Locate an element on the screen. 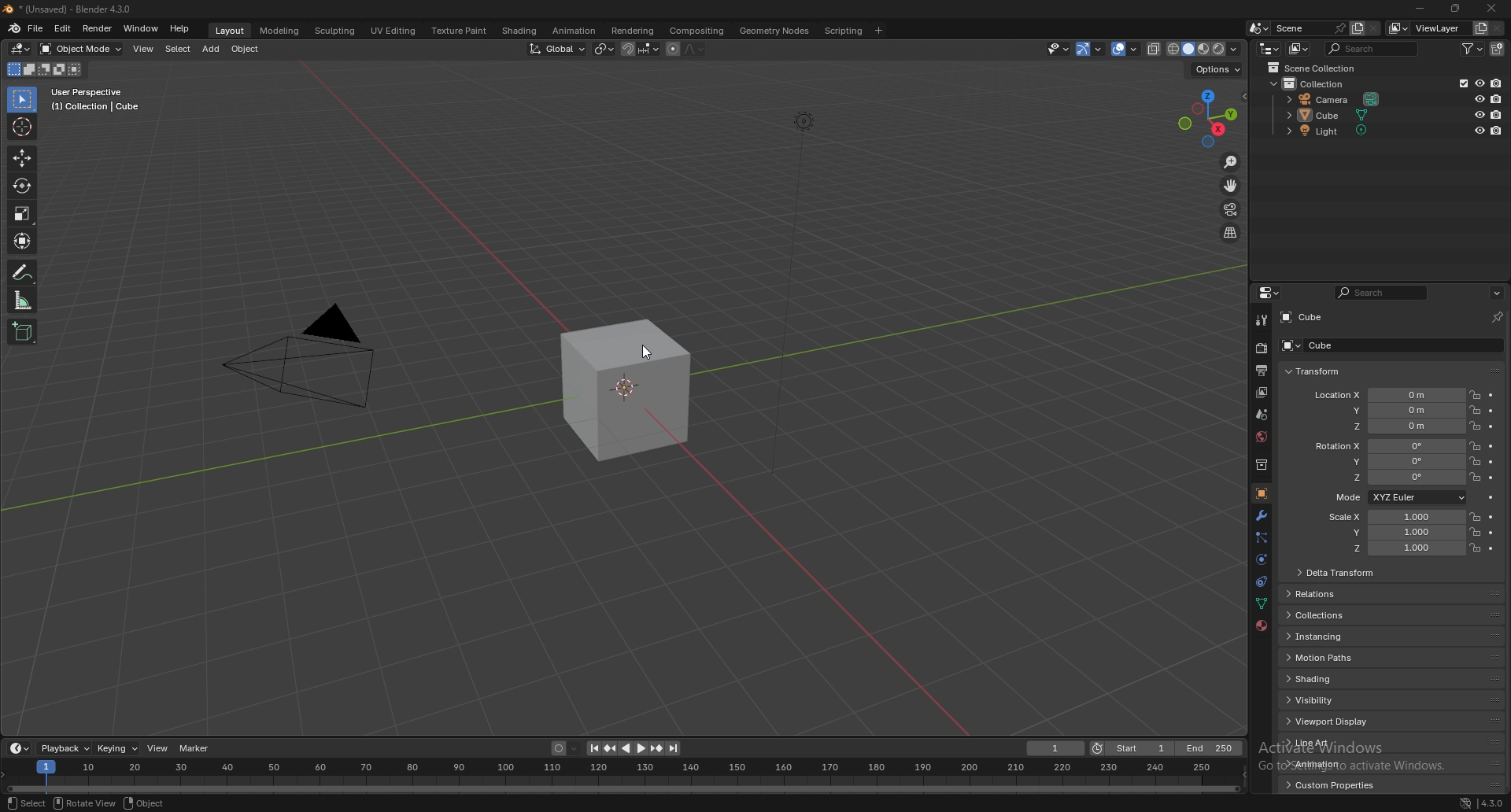 The image size is (1511, 812). snapping is located at coordinates (640, 50).